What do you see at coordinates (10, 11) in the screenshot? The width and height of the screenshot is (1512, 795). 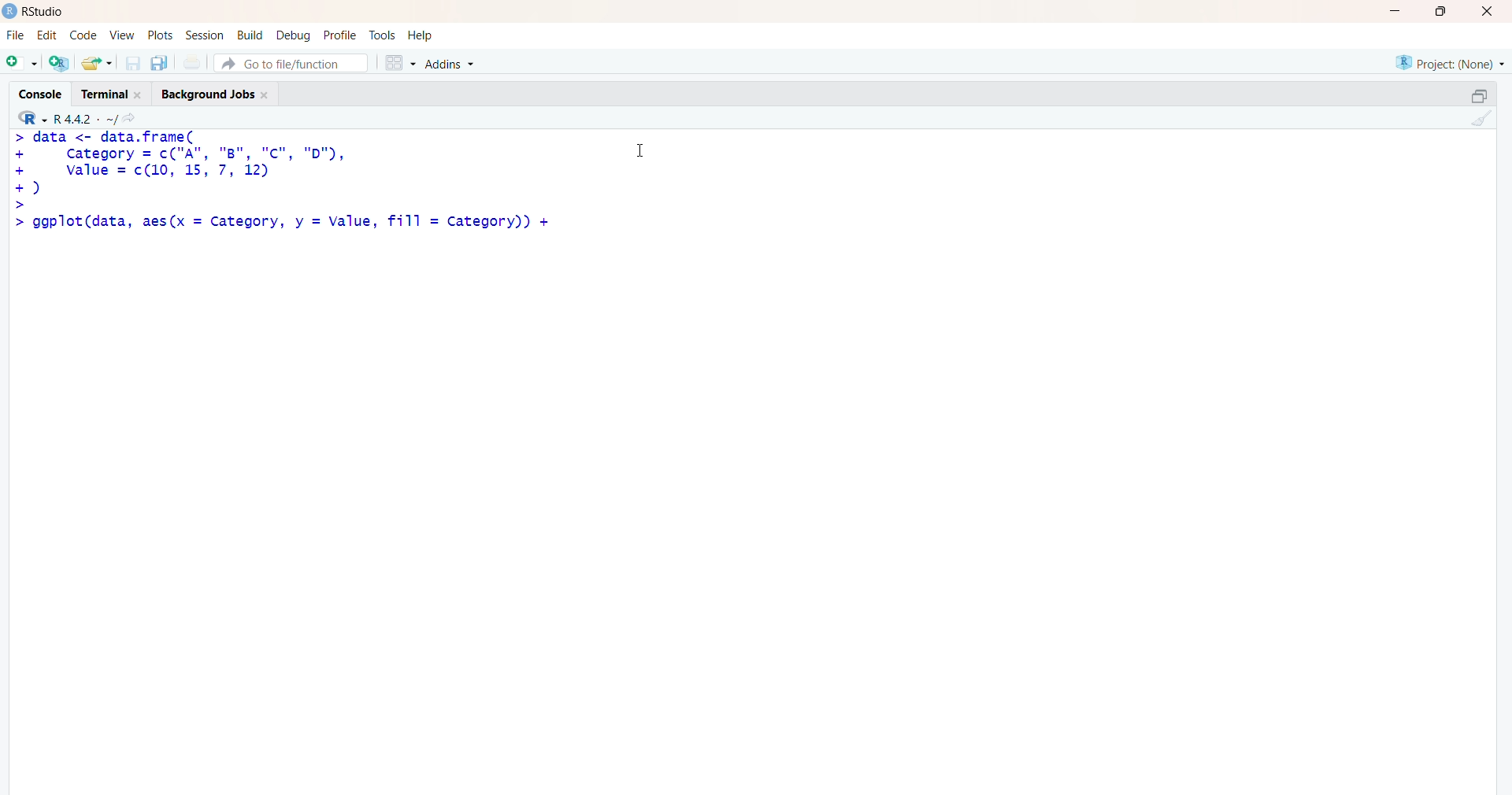 I see `logo` at bounding box center [10, 11].